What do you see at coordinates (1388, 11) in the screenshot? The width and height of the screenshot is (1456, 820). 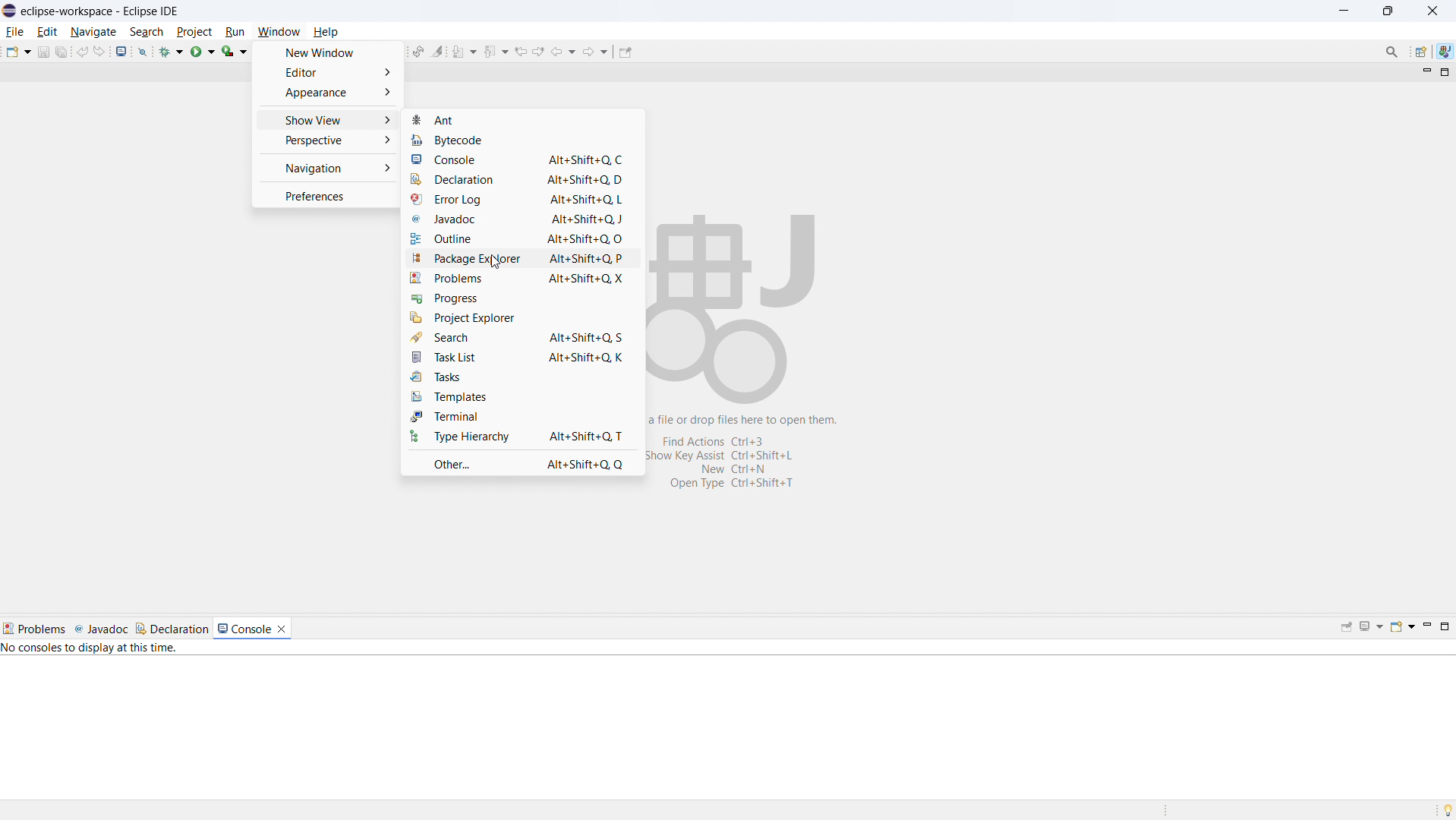 I see `maximize` at bounding box center [1388, 11].